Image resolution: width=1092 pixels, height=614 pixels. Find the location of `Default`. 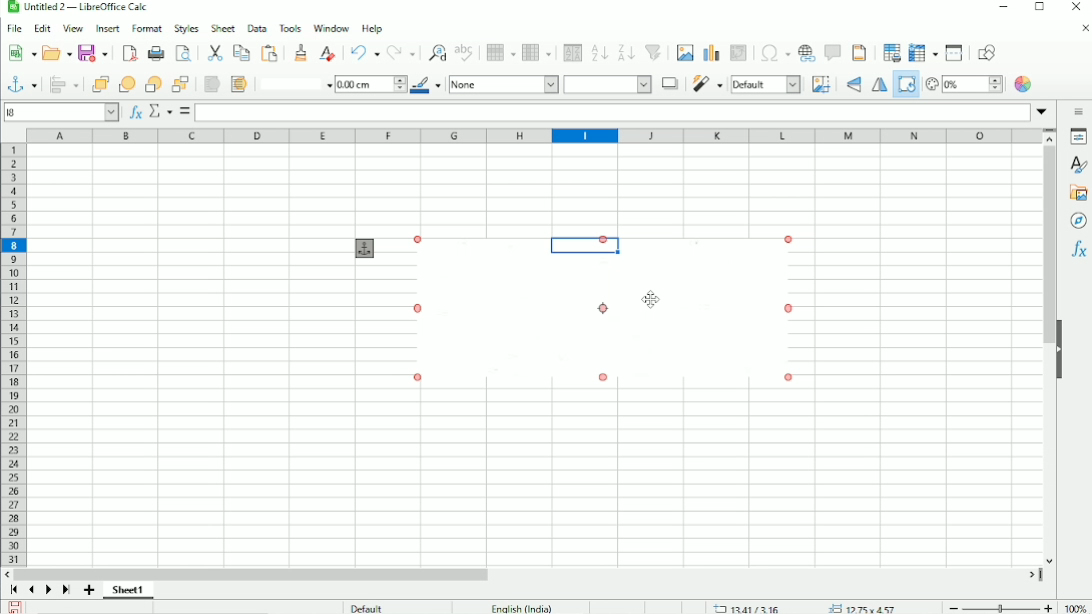

Default is located at coordinates (367, 607).